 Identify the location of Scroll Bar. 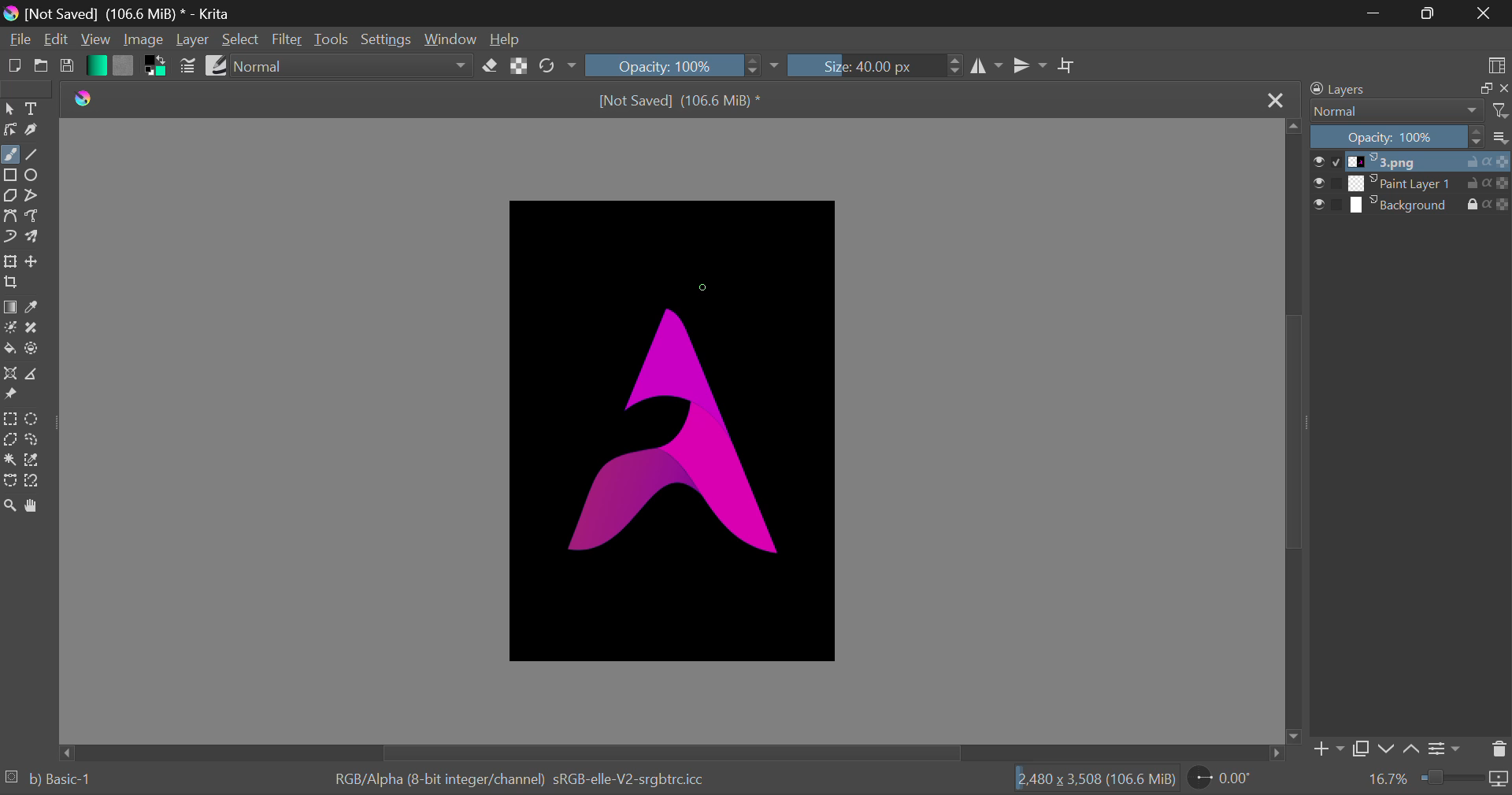
(1295, 432).